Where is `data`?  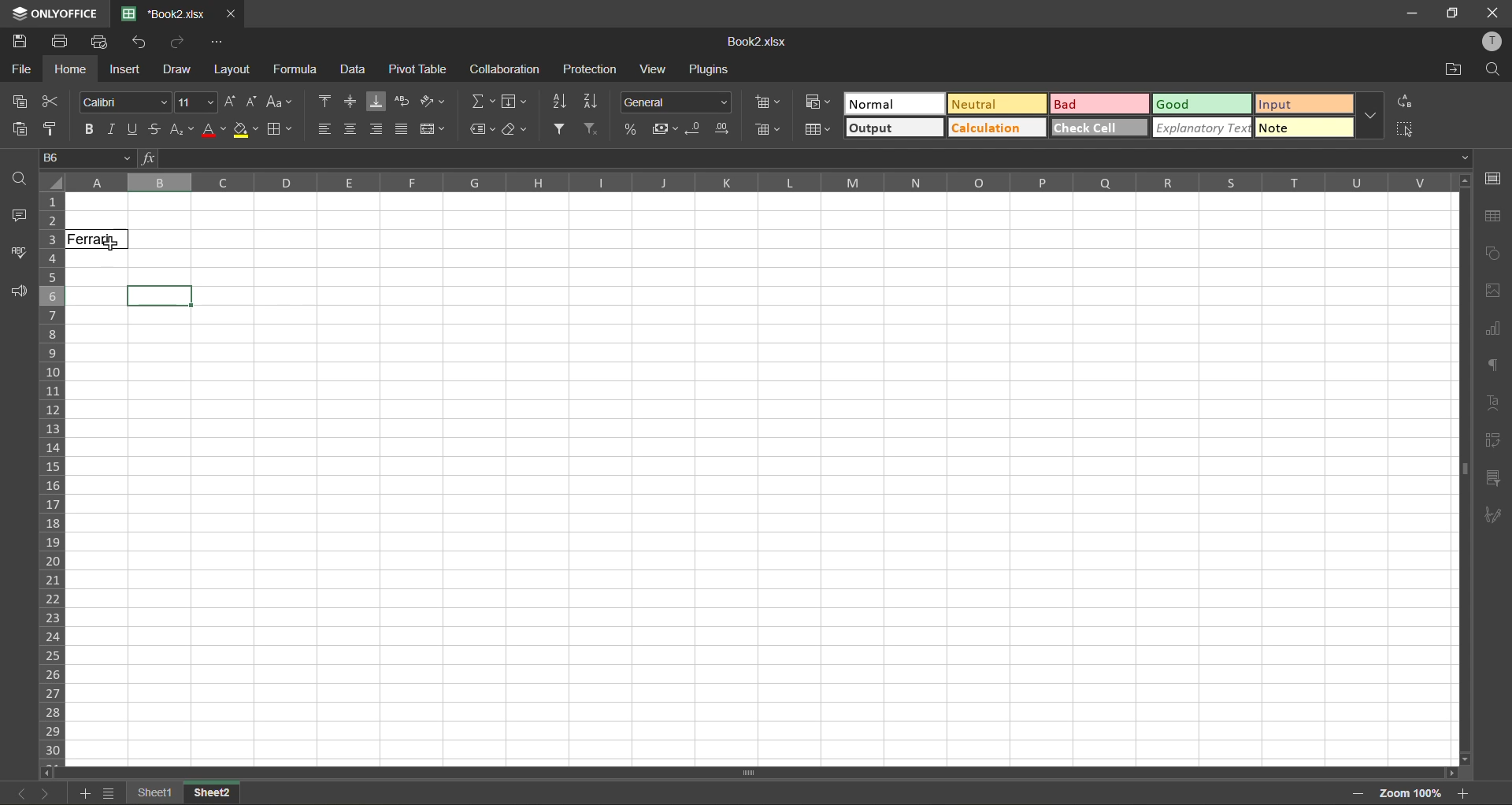 data is located at coordinates (356, 70).